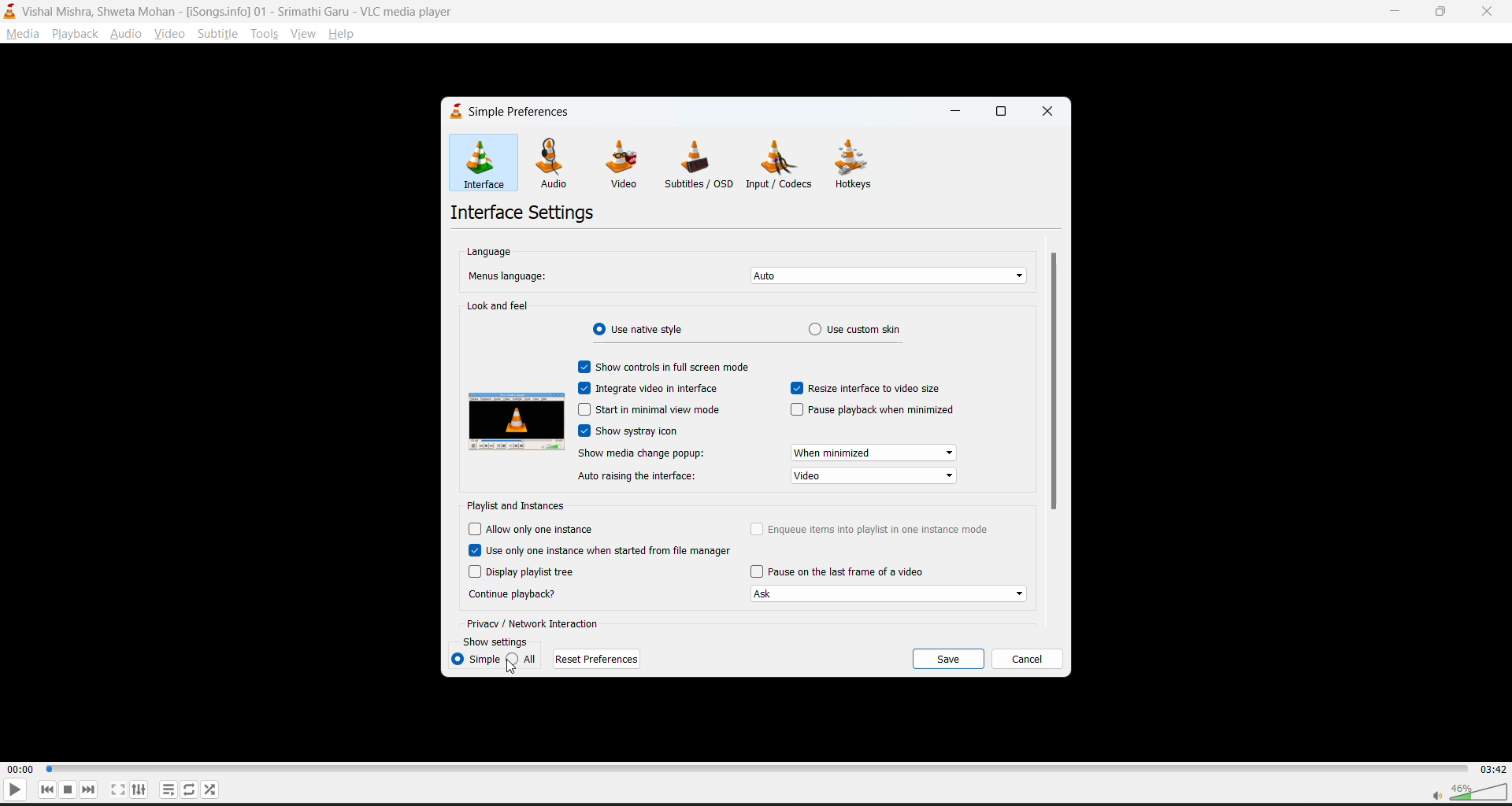 The height and width of the screenshot is (806, 1512). I want to click on interface settings, so click(521, 214).